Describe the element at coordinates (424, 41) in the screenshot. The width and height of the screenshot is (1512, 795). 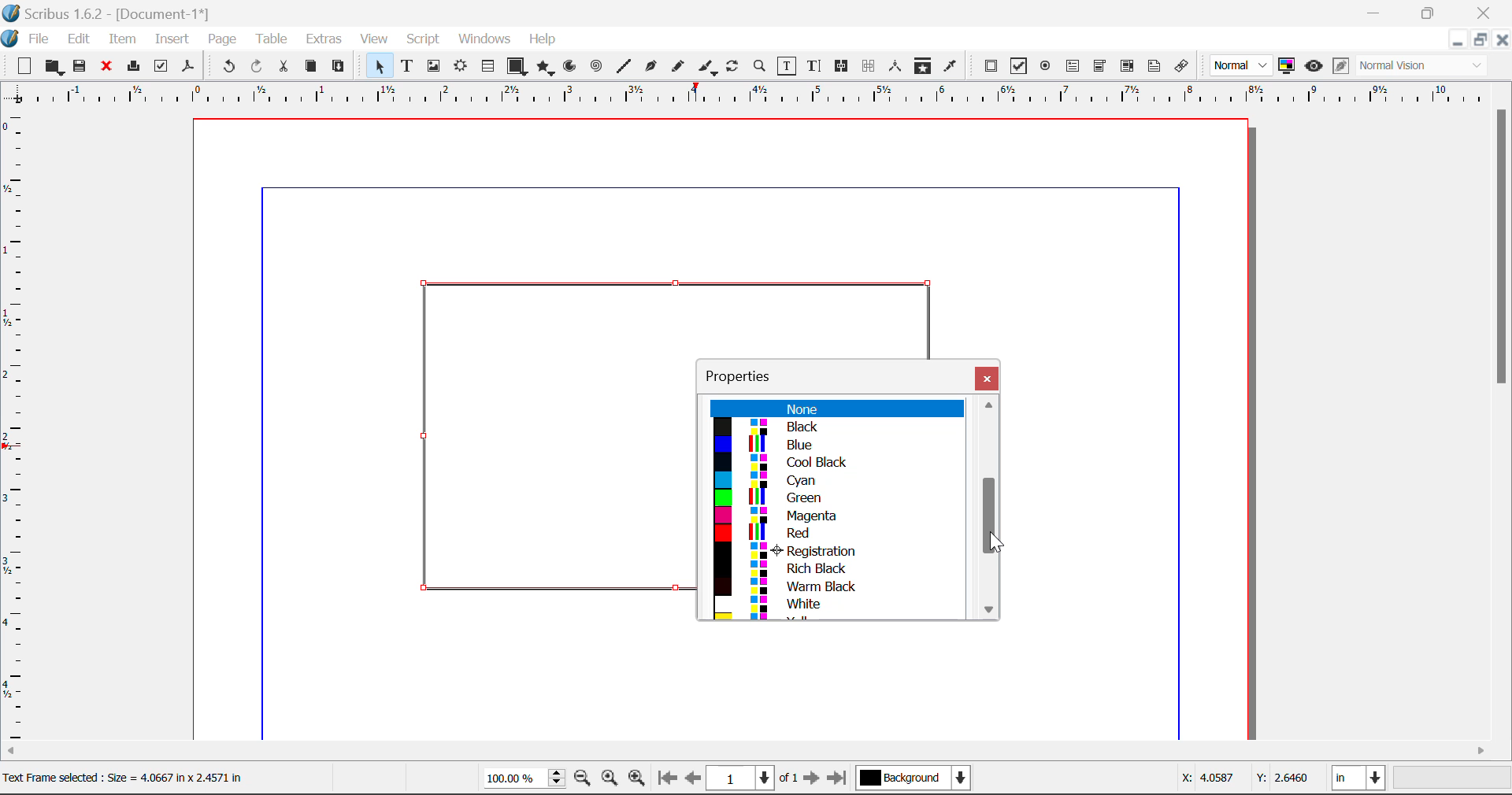
I see `Script` at that location.